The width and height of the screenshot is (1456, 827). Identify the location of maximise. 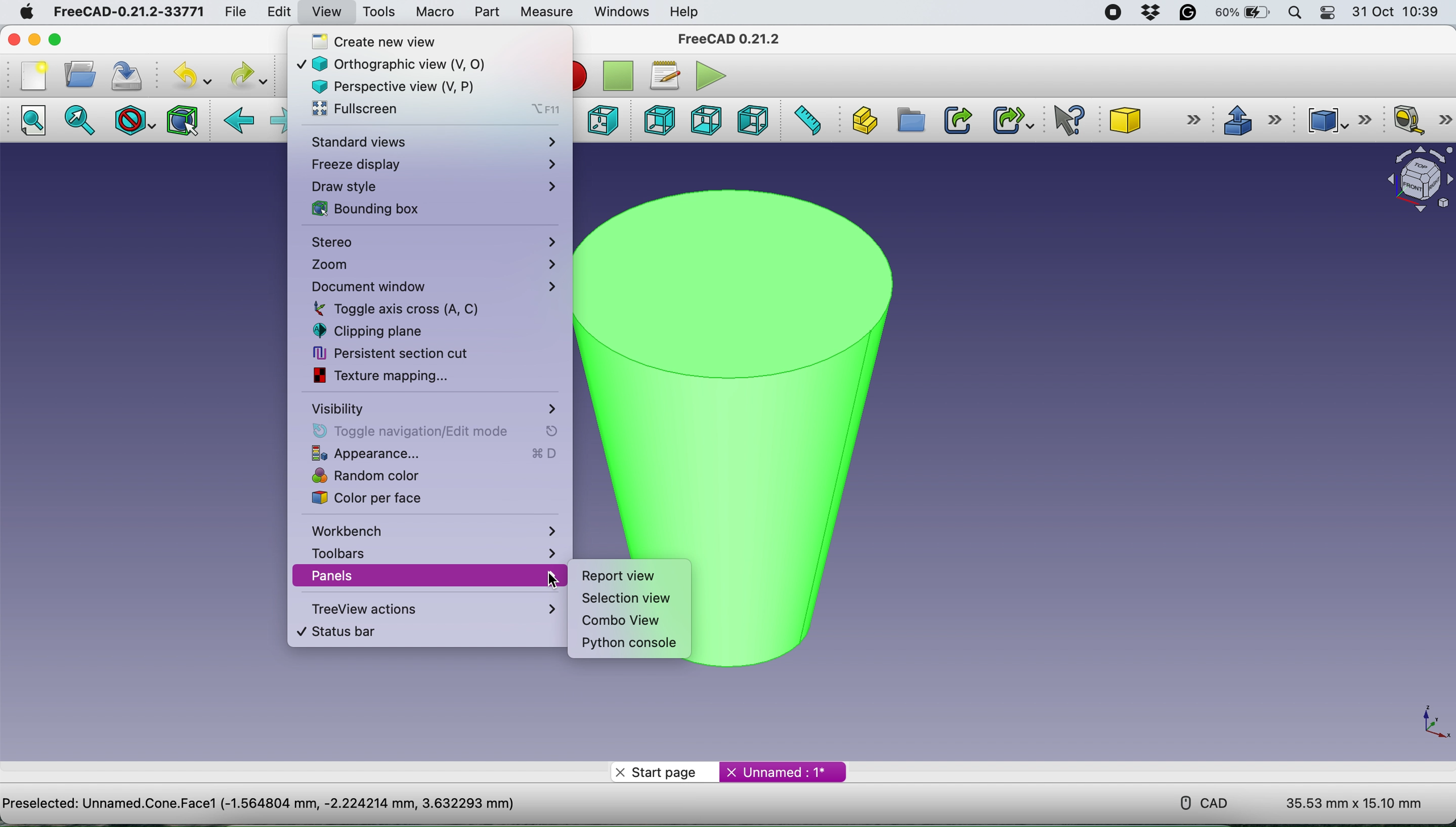
(76, 39).